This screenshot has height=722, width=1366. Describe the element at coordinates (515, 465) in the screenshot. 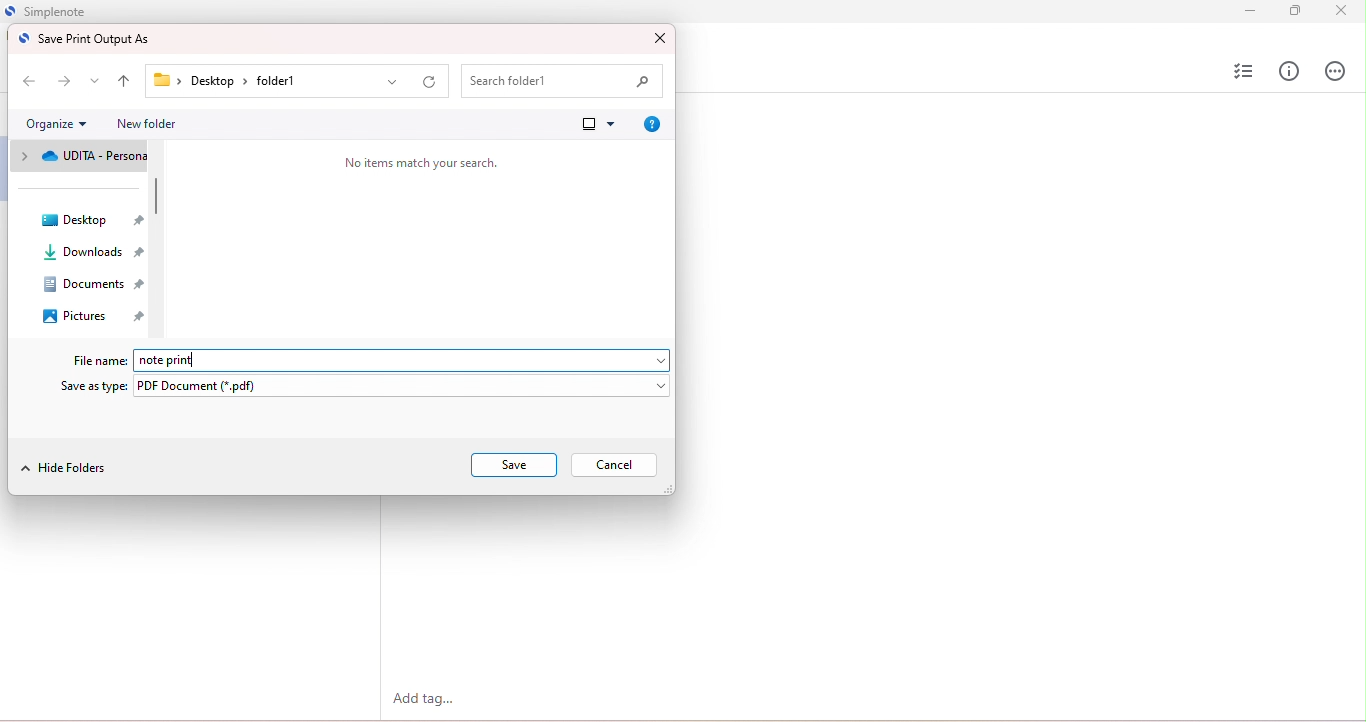

I see `save` at that location.